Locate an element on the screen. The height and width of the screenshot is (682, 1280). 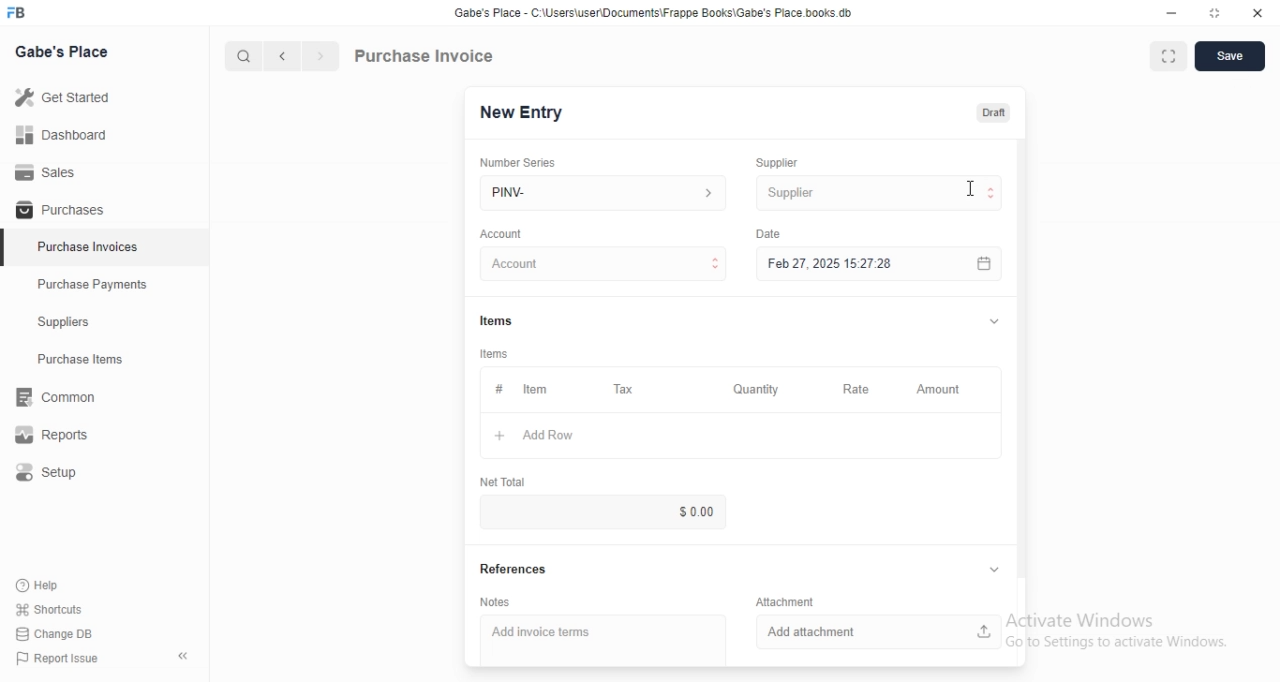
Items is located at coordinates (496, 321).